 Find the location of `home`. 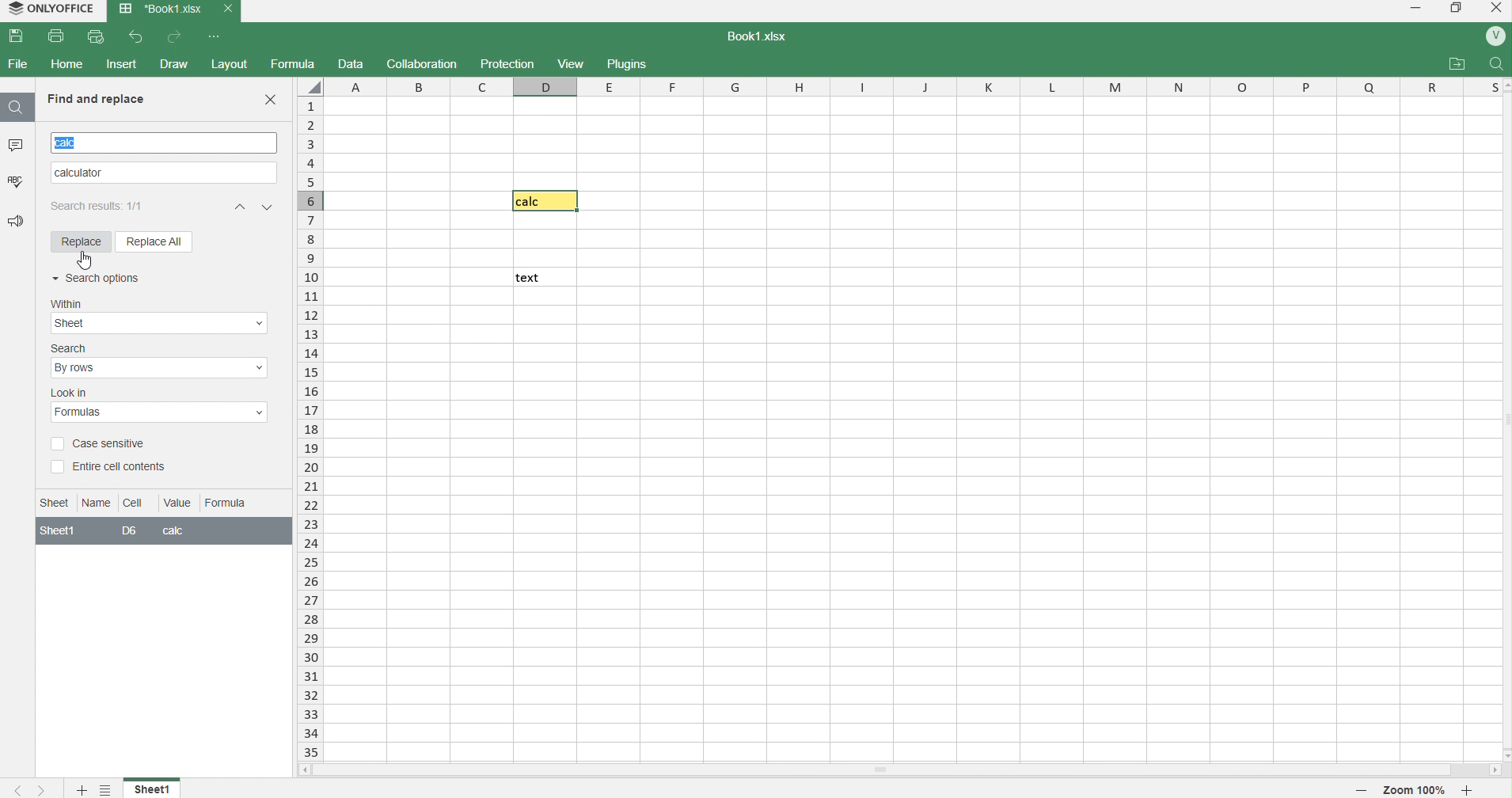

home is located at coordinates (71, 64).